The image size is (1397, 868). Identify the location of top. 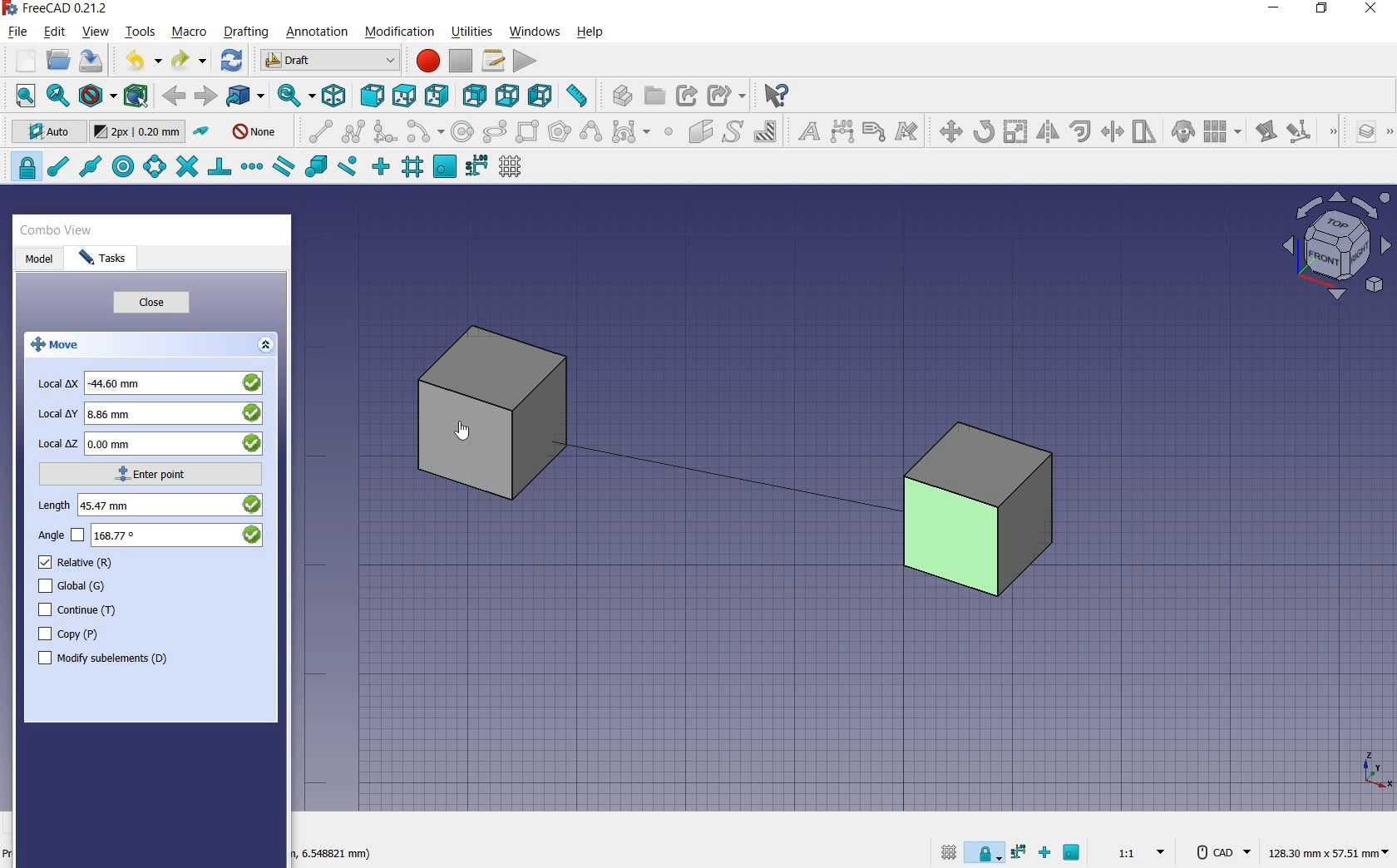
(407, 95).